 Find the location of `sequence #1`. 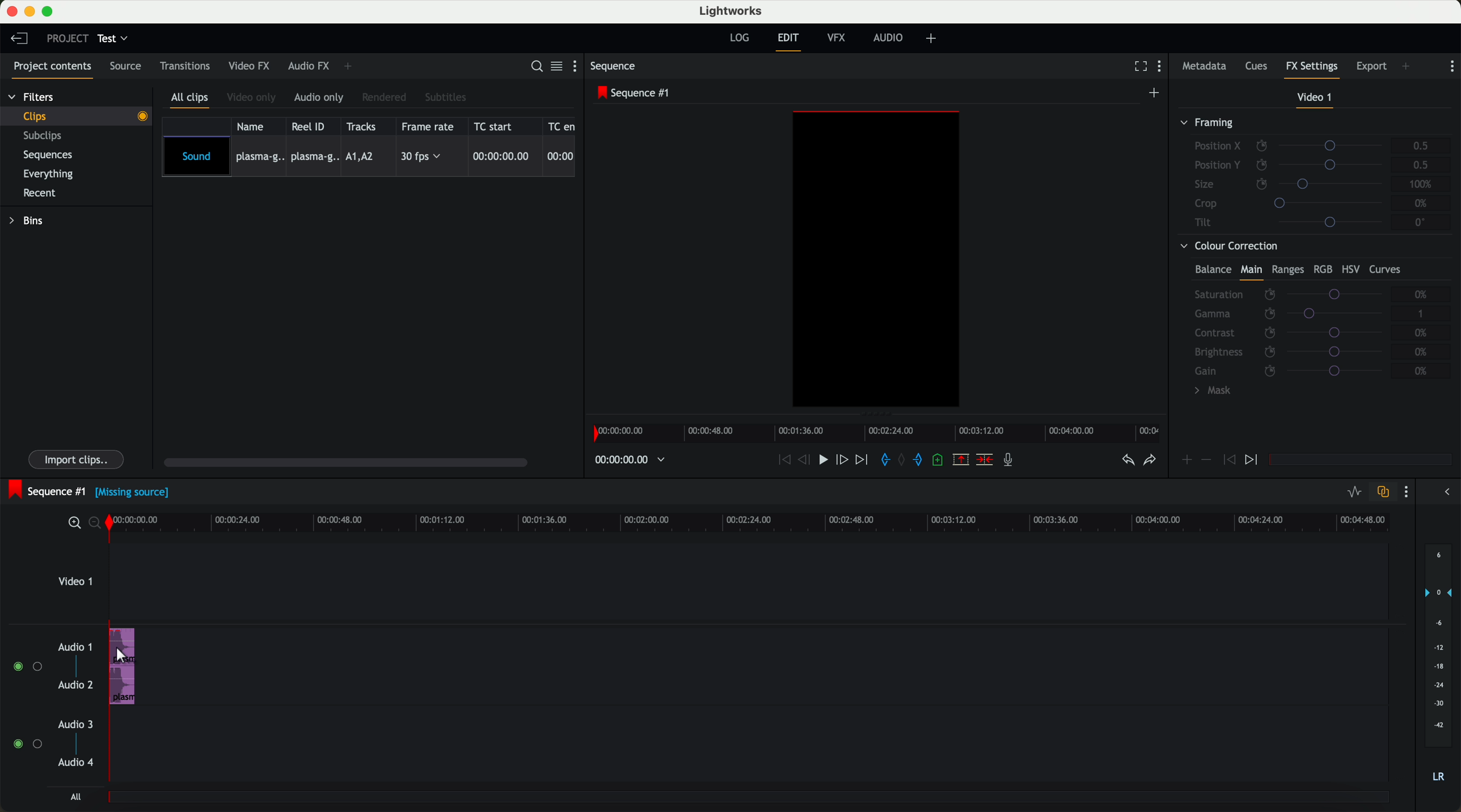

sequence #1 is located at coordinates (635, 94).